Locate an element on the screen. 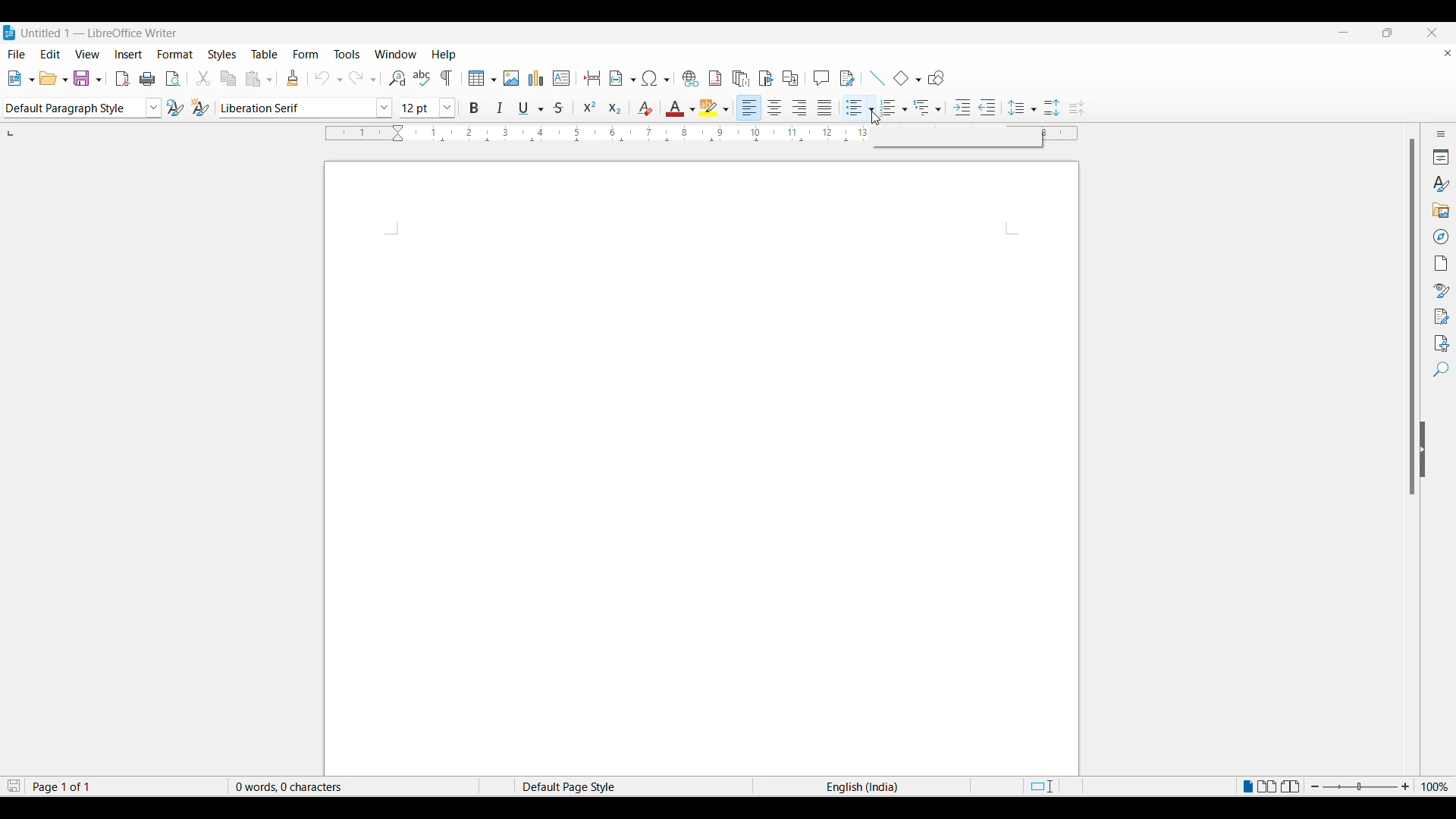  insert table is located at coordinates (481, 80).